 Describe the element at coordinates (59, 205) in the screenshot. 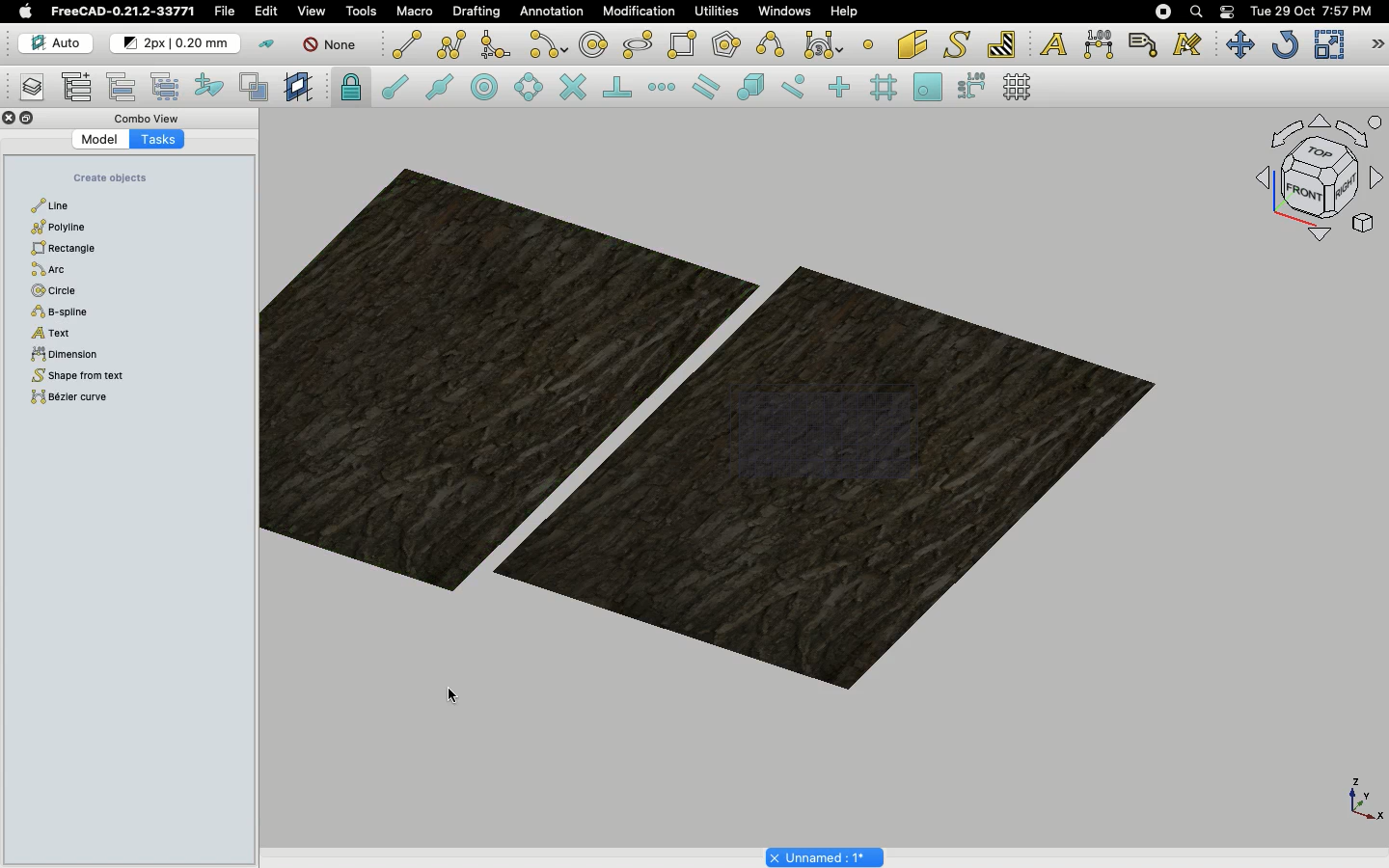

I see `Line` at that location.